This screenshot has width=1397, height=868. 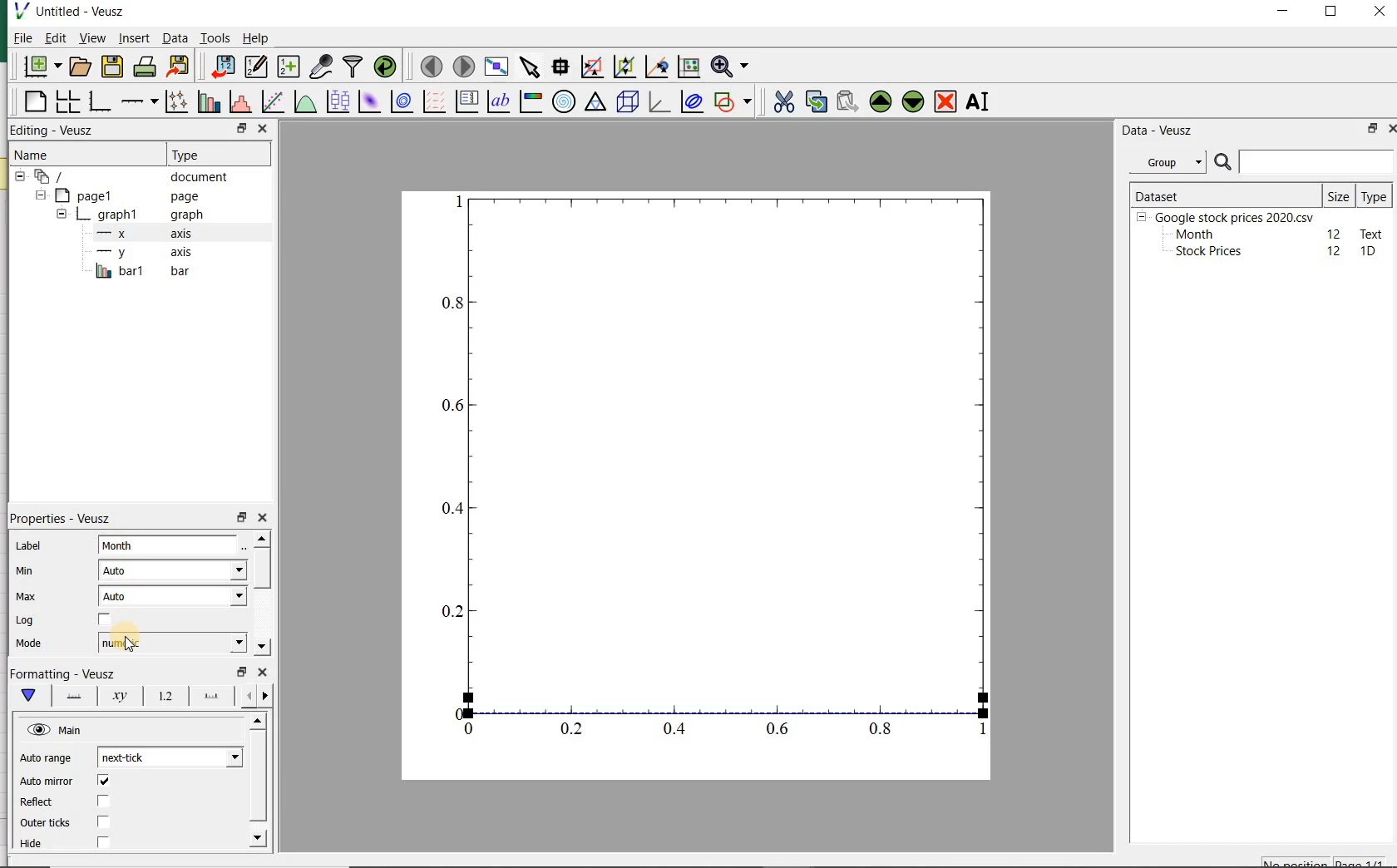 I want to click on 3d graph, so click(x=659, y=103).